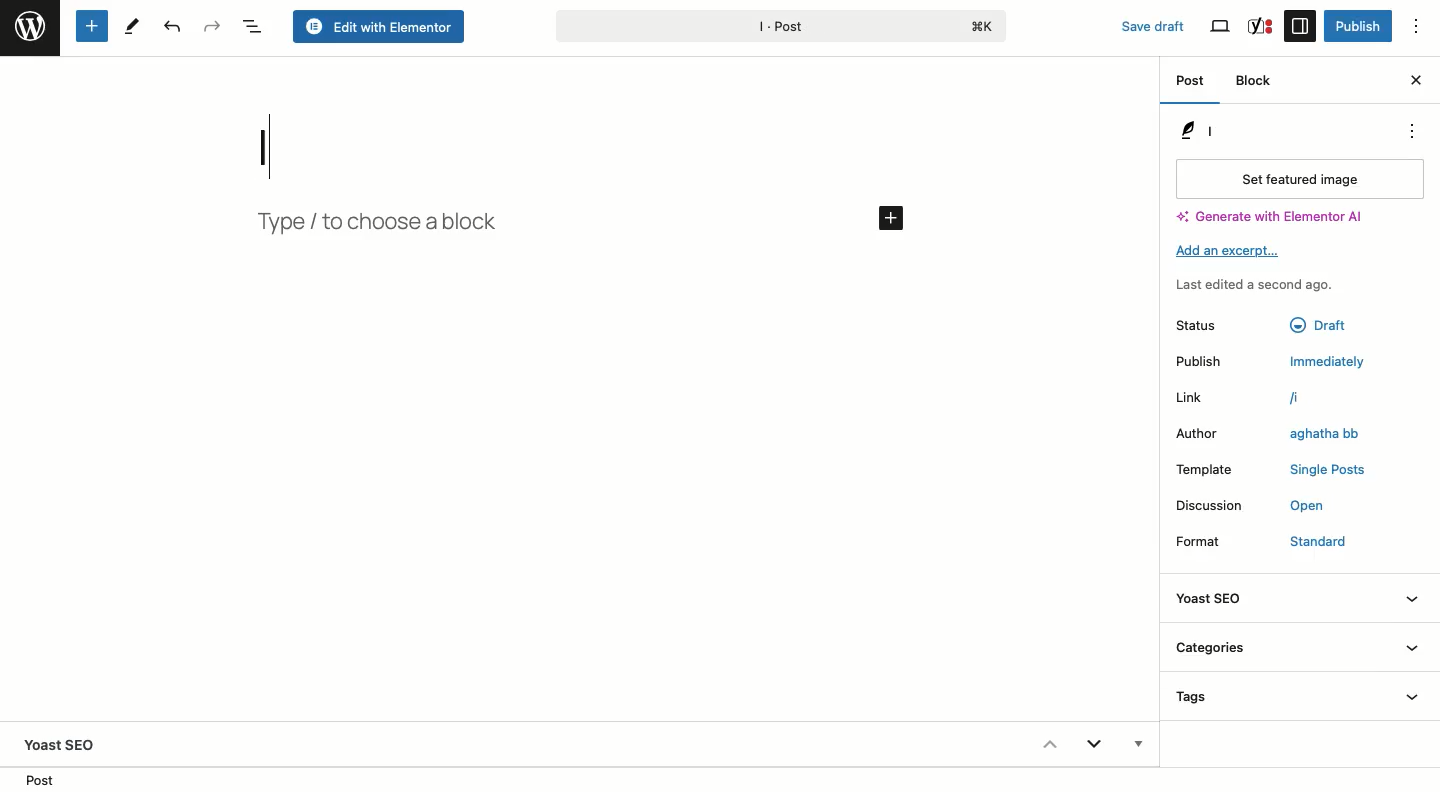 The height and width of the screenshot is (792, 1440). Describe the element at coordinates (46, 779) in the screenshot. I see `Post` at that location.